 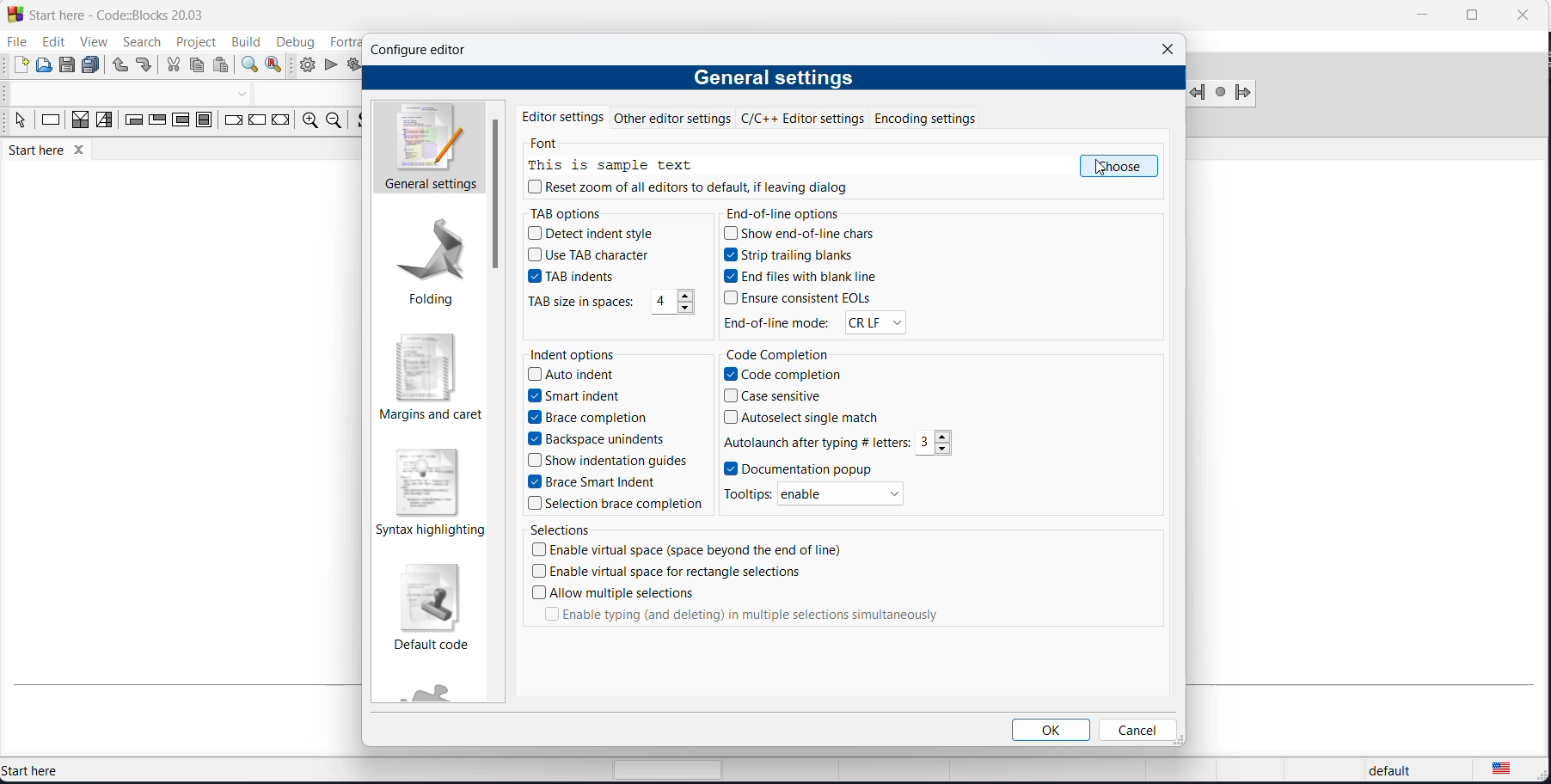 What do you see at coordinates (307, 64) in the screenshot?
I see `build` at bounding box center [307, 64].